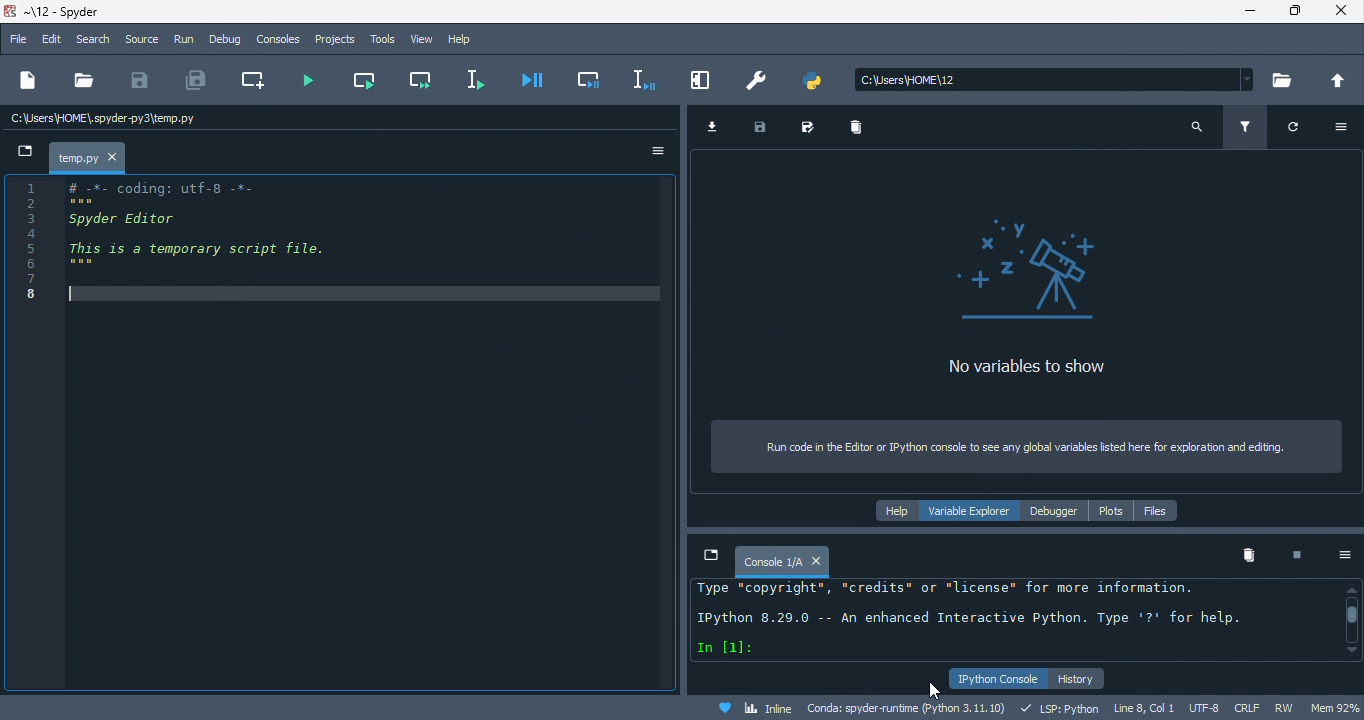 This screenshot has width=1364, height=720. I want to click on vertical scroll bar, so click(1350, 620).